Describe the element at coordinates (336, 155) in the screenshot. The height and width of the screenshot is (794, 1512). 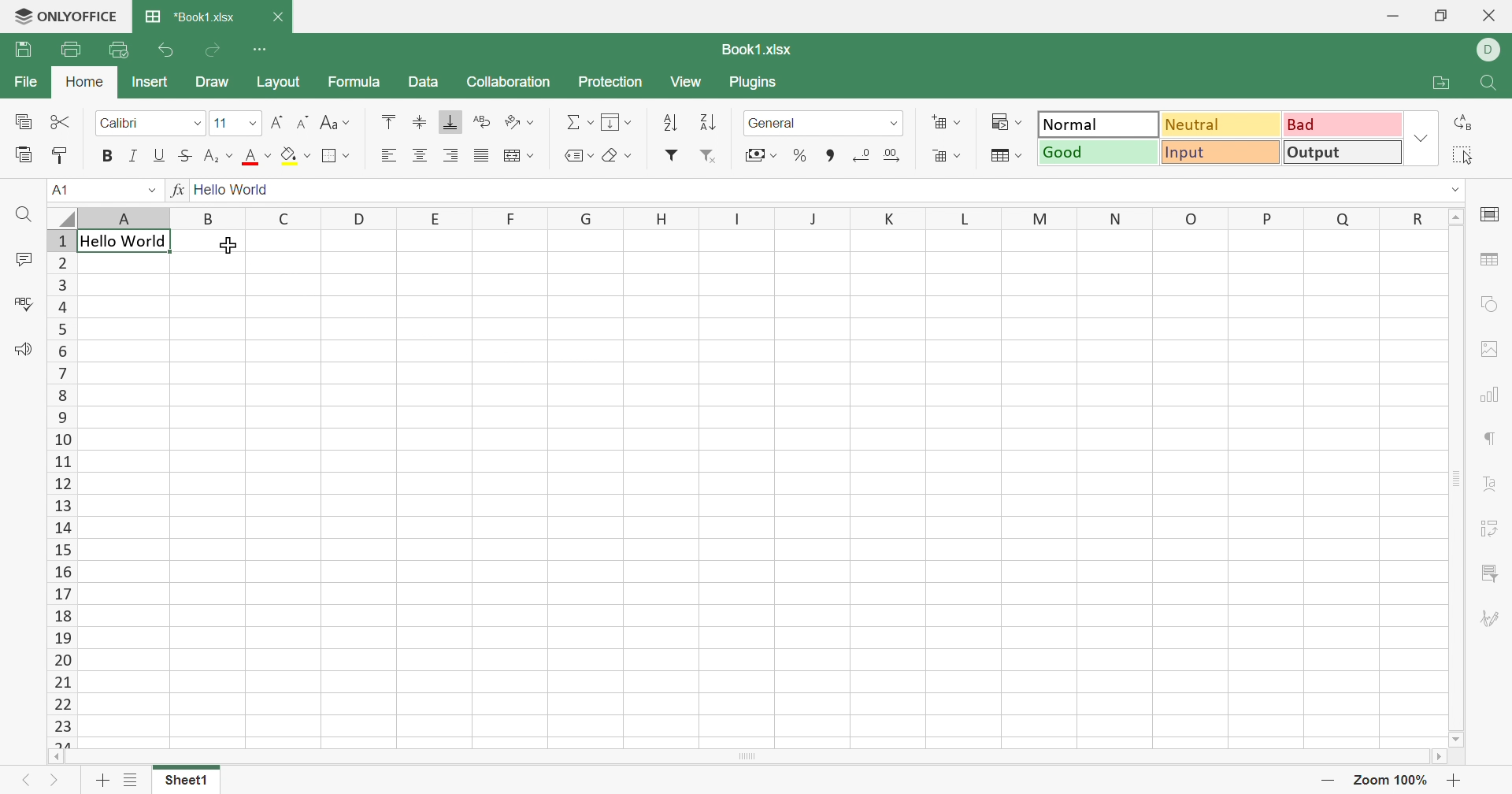
I see `Borders` at that location.